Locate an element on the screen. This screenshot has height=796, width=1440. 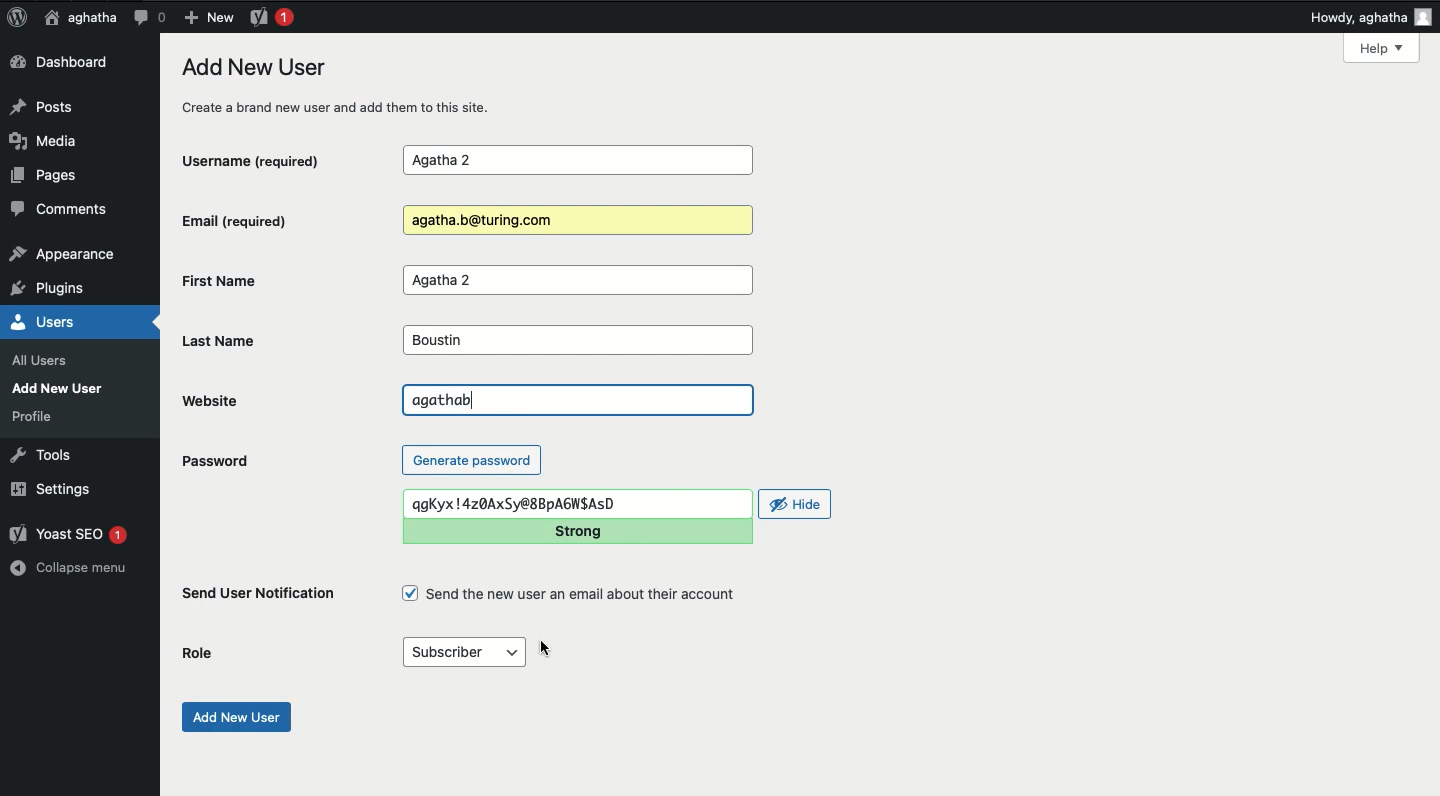
Subscriber is located at coordinates (465, 650).